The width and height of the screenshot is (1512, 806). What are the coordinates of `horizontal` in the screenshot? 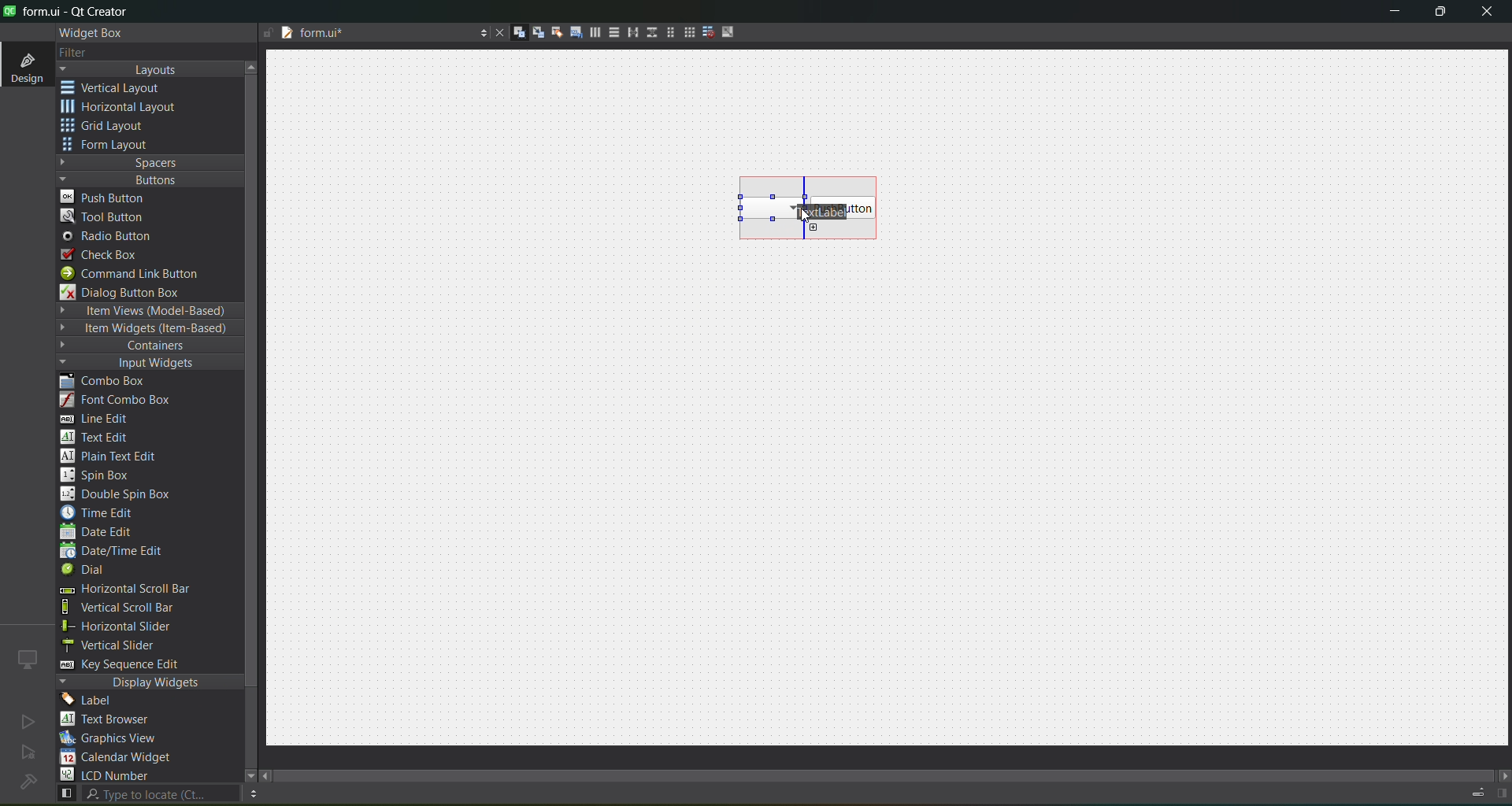 It's located at (122, 109).